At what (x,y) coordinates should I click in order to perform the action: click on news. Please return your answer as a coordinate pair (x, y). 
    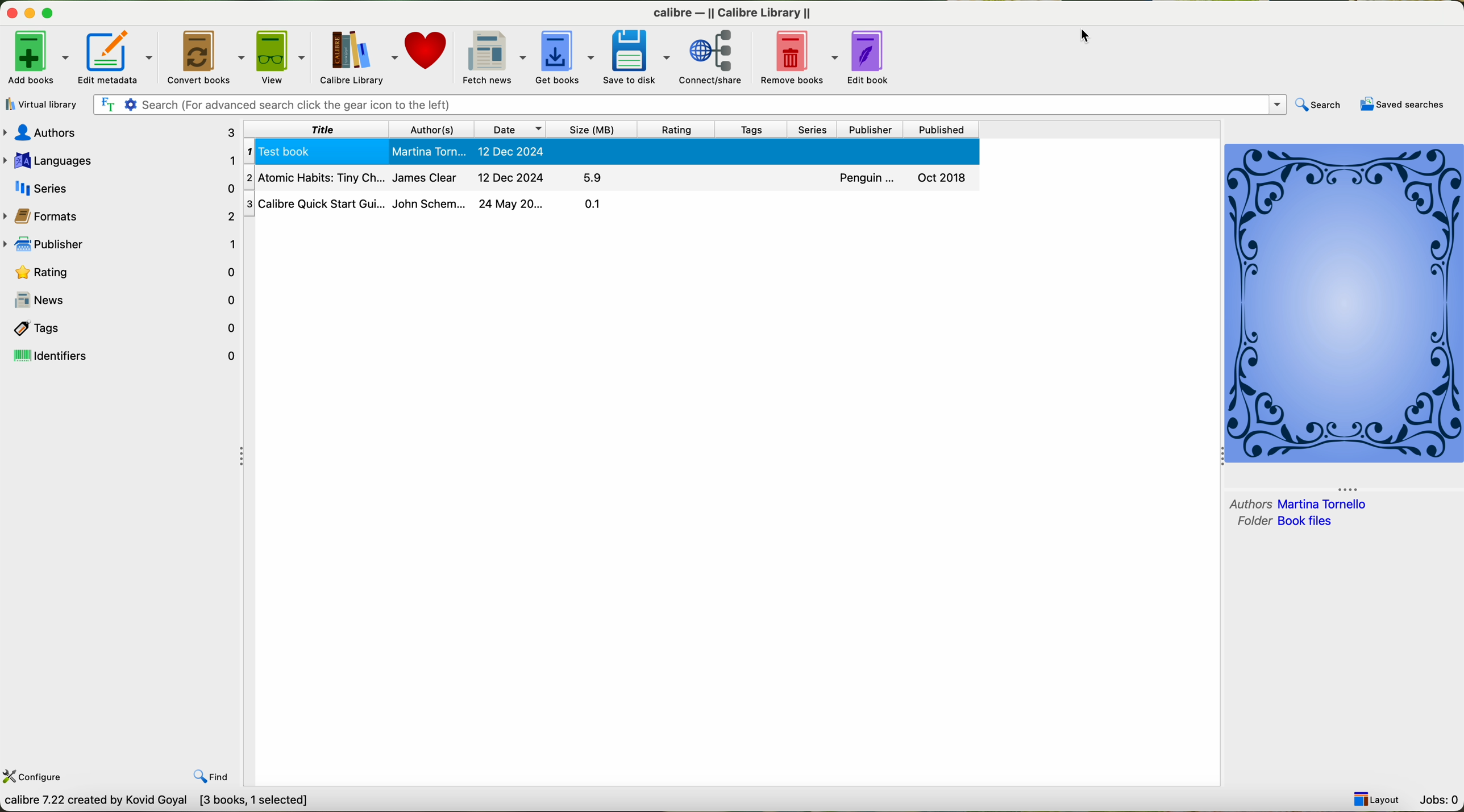
    Looking at the image, I should click on (121, 300).